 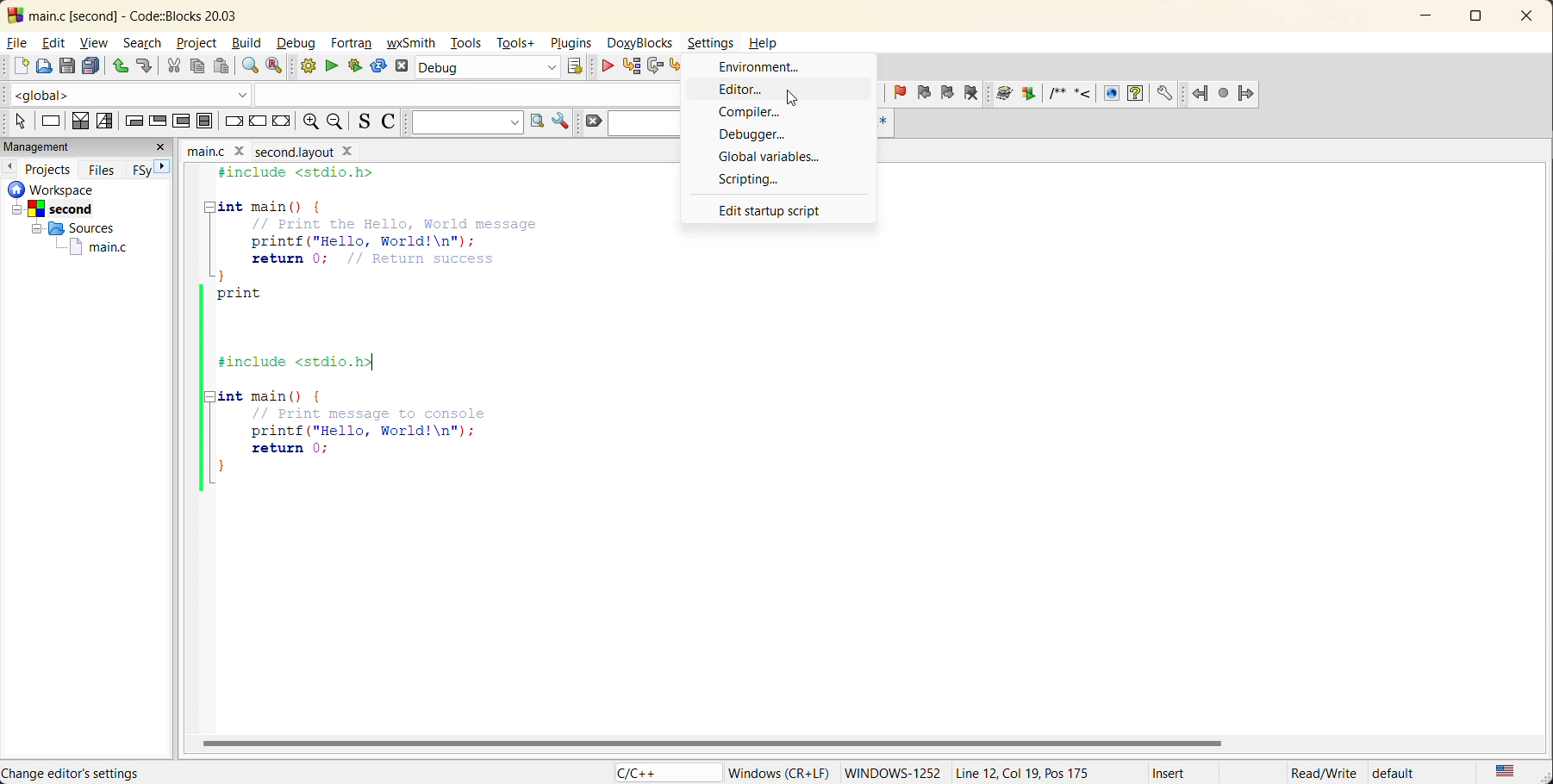 I want to click on block instruction, so click(x=204, y=121).